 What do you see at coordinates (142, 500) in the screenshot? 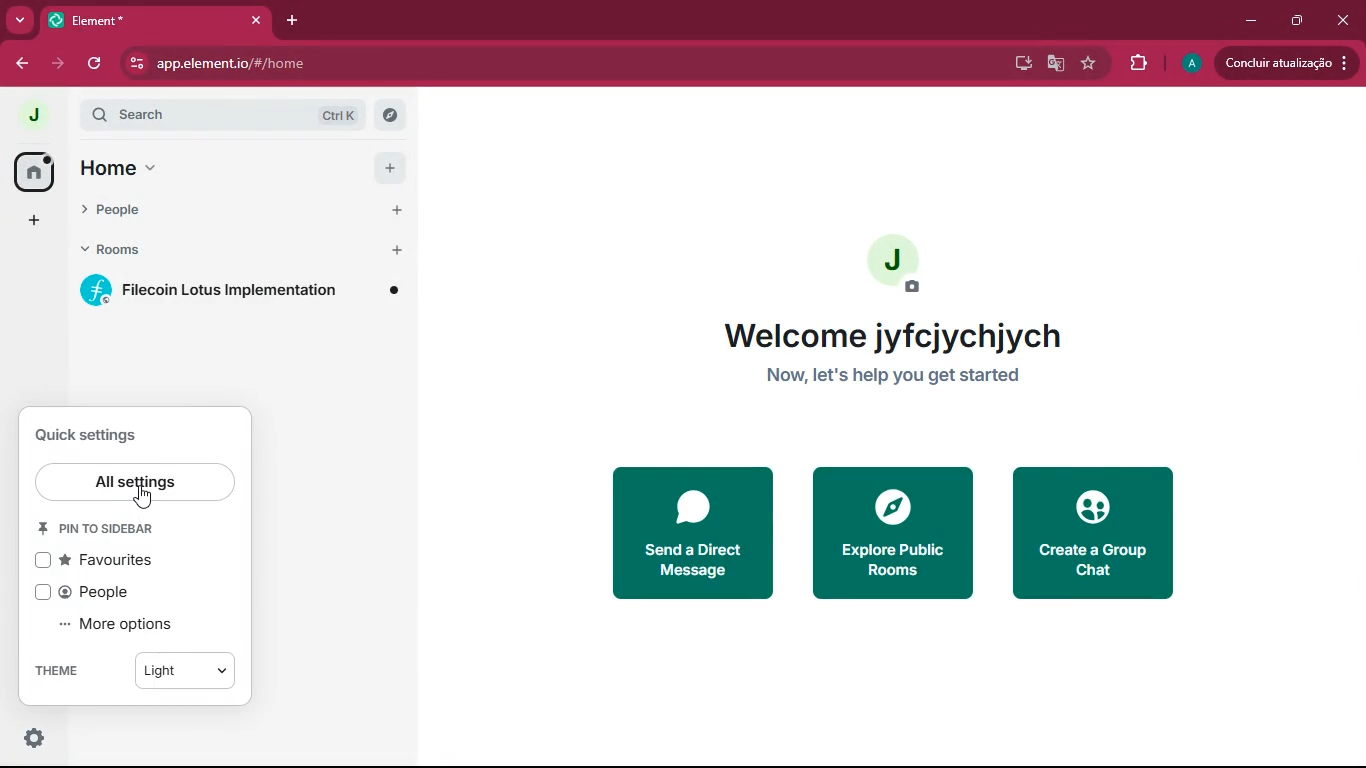
I see `cursor` at bounding box center [142, 500].